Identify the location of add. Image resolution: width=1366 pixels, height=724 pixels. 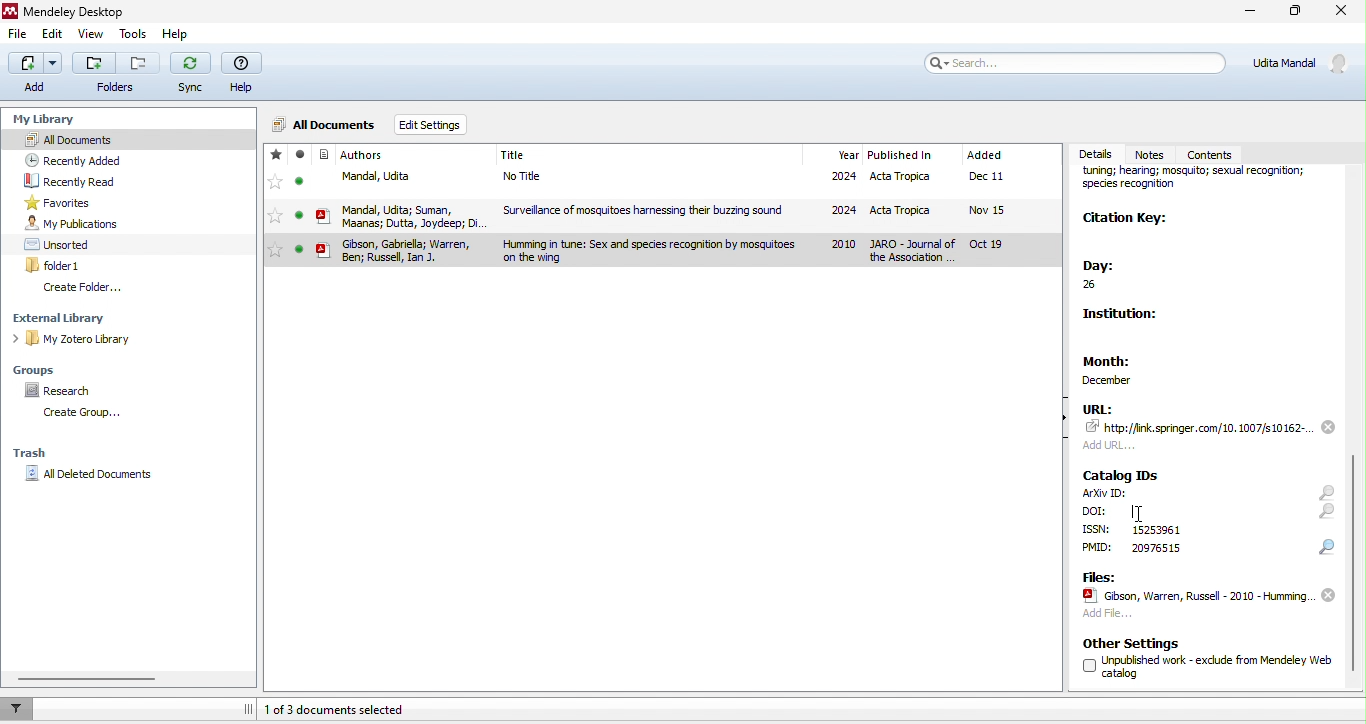
(33, 74).